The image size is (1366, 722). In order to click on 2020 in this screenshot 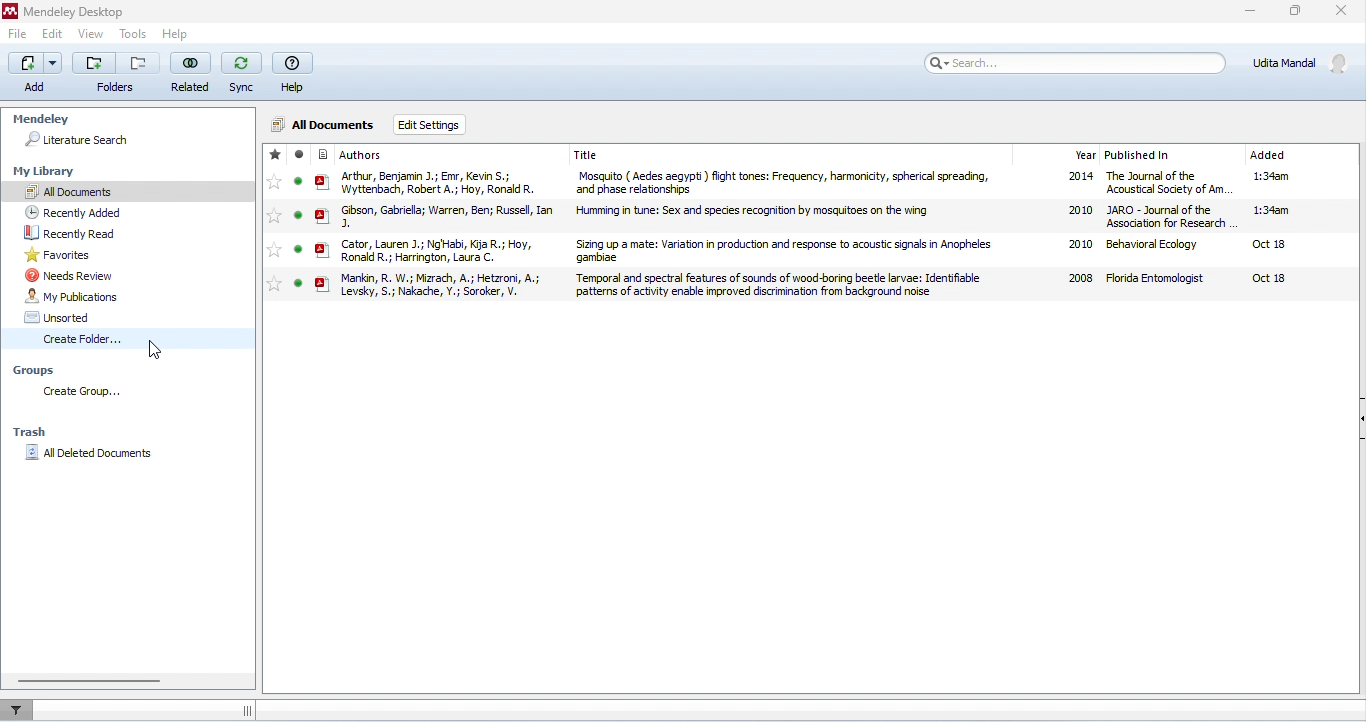, I will do `click(1080, 211)`.